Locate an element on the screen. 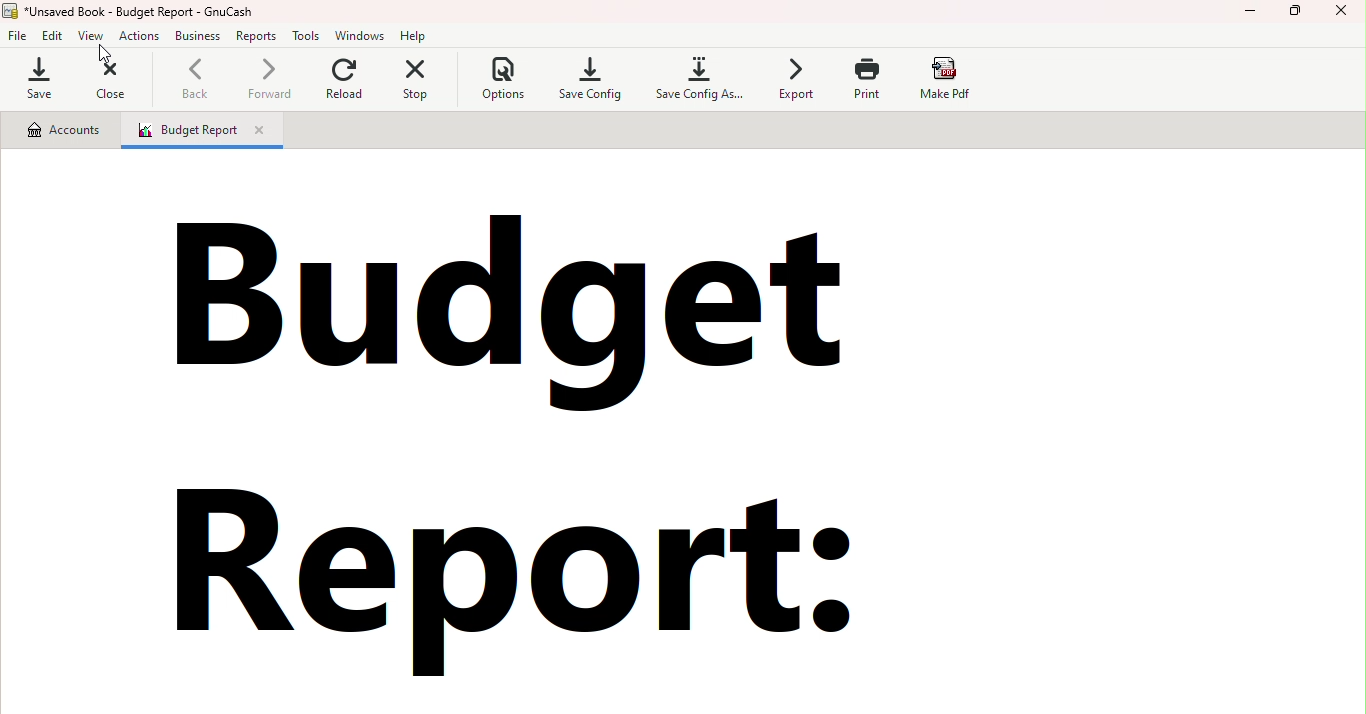 Image resolution: width=1366 pixels, height=714 pixels. Tools is located at coordinates (308, 36).